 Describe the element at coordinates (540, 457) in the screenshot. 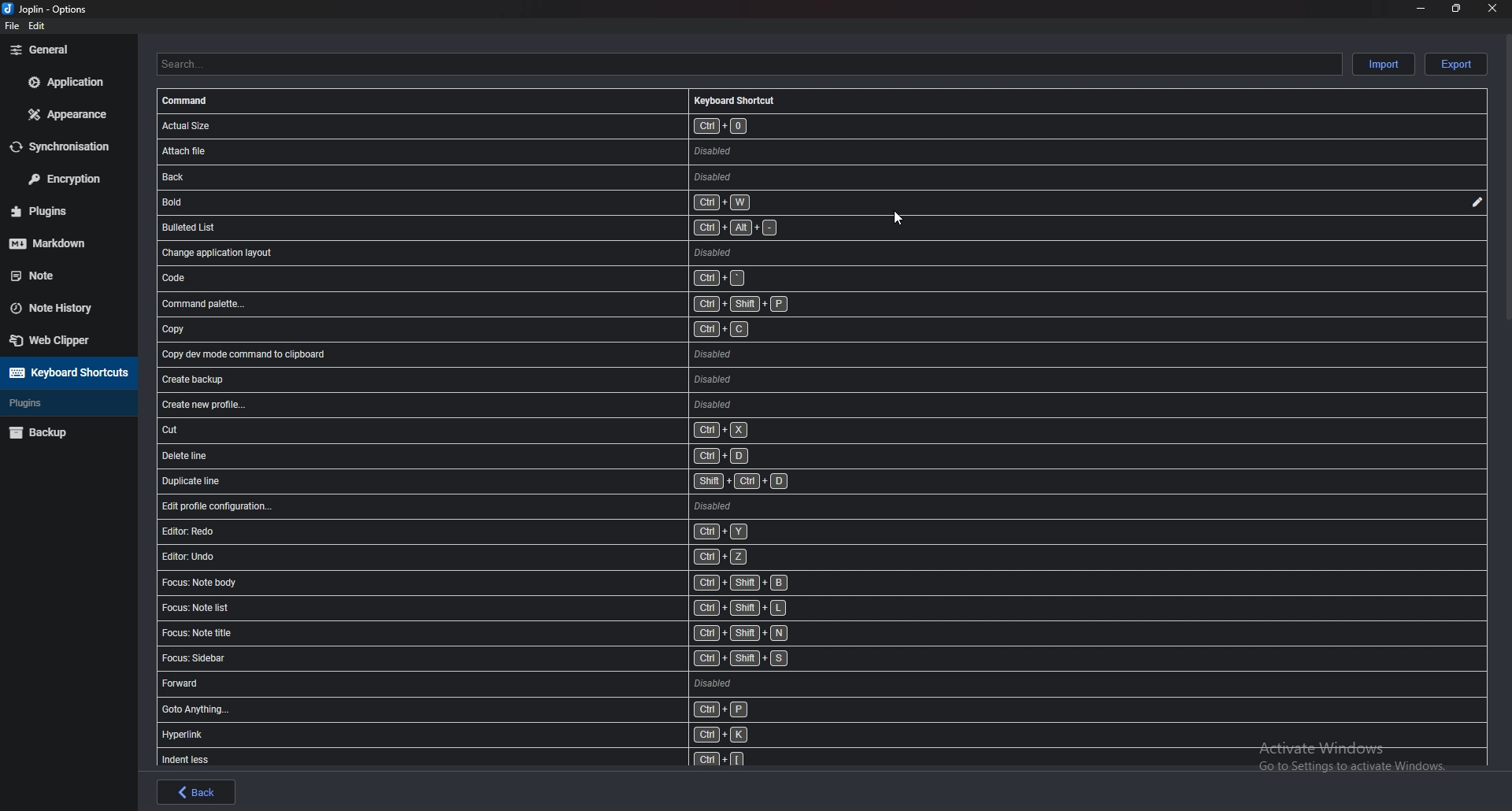

I see `shortcut` at that location.